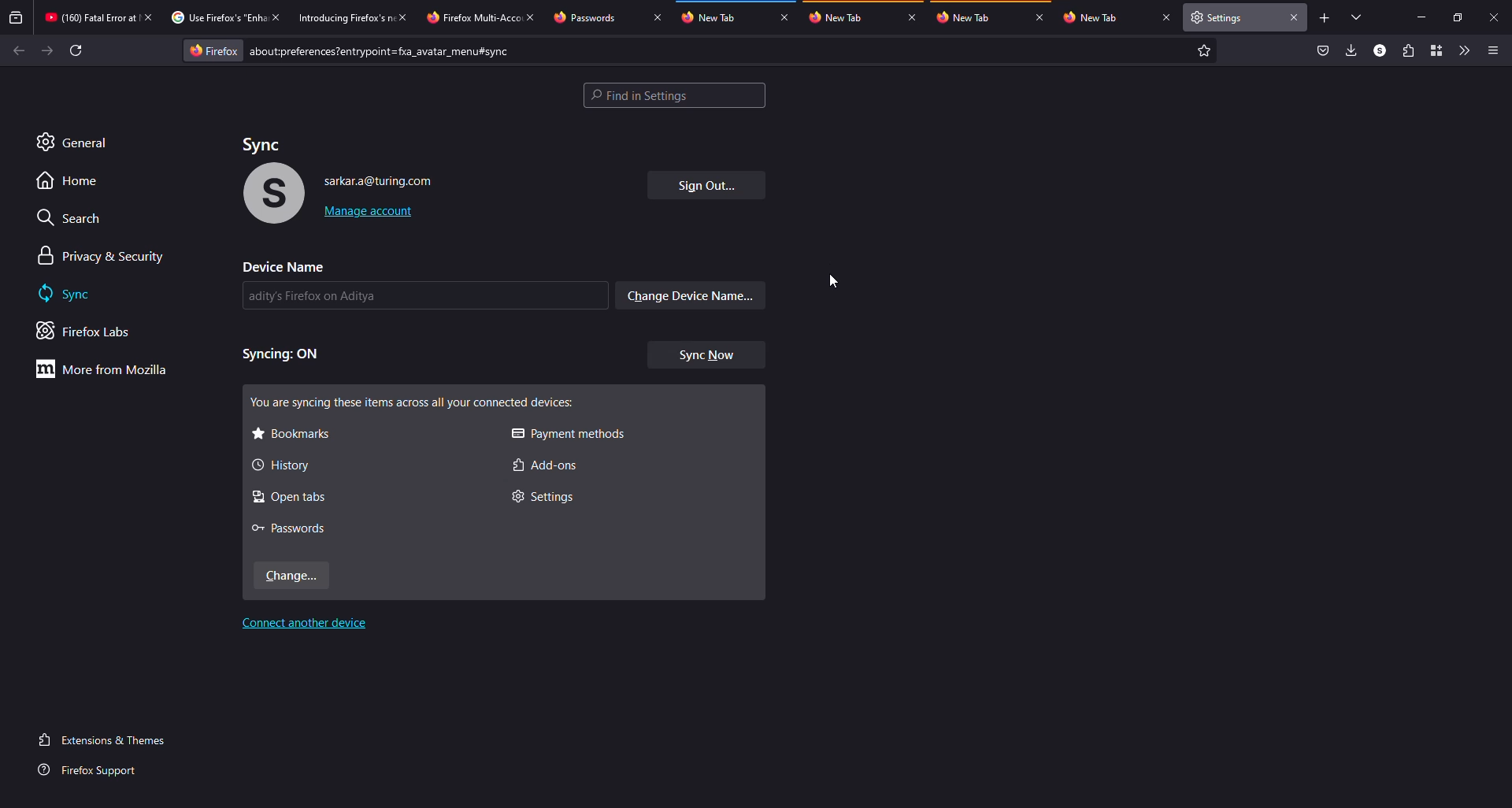 This screenshot has height=808, width=1512. I want to click on firefox support, so click(91, 771).